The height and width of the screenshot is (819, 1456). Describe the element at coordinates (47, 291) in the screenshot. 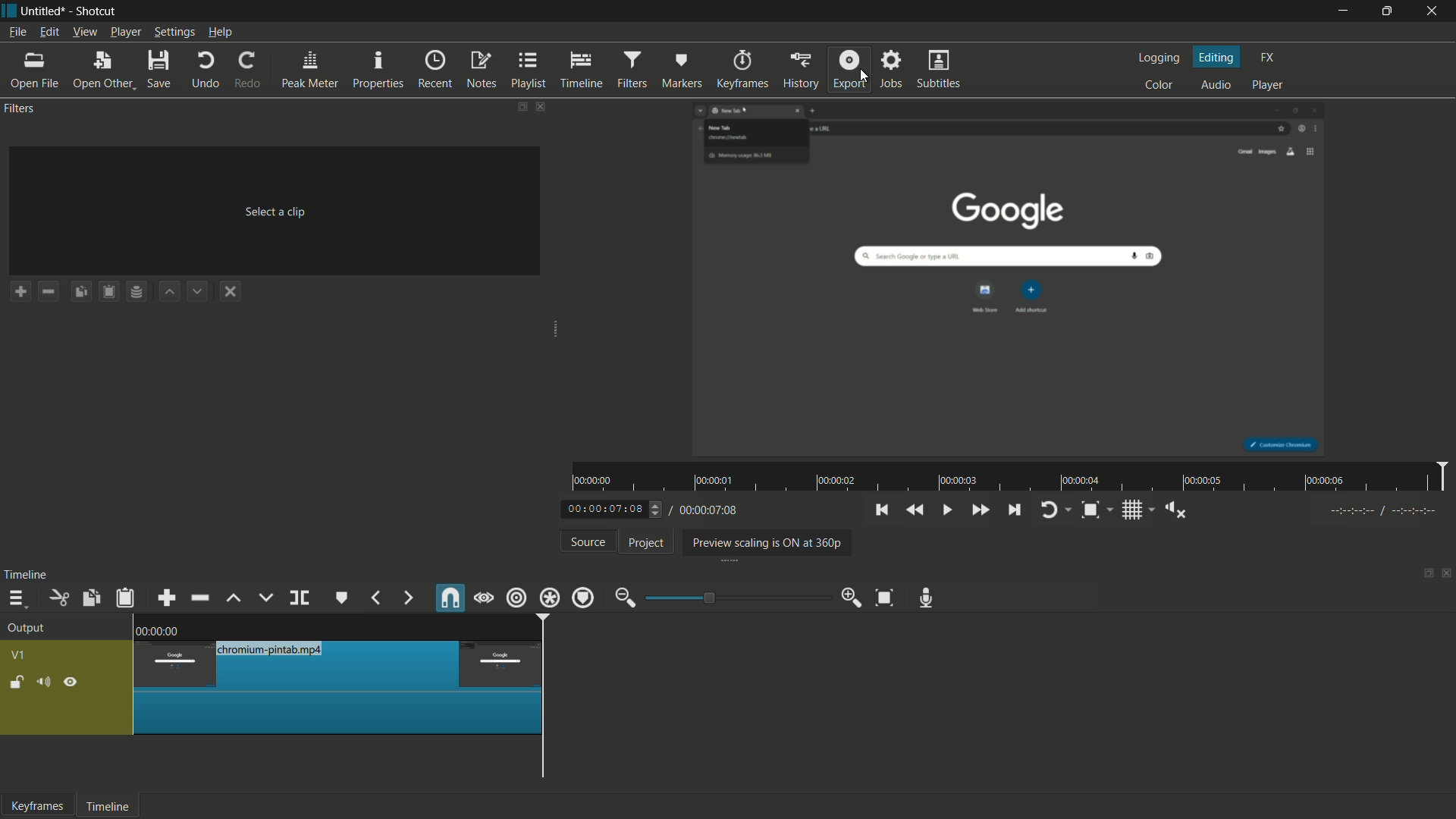

I see `remove a filter` at that location.